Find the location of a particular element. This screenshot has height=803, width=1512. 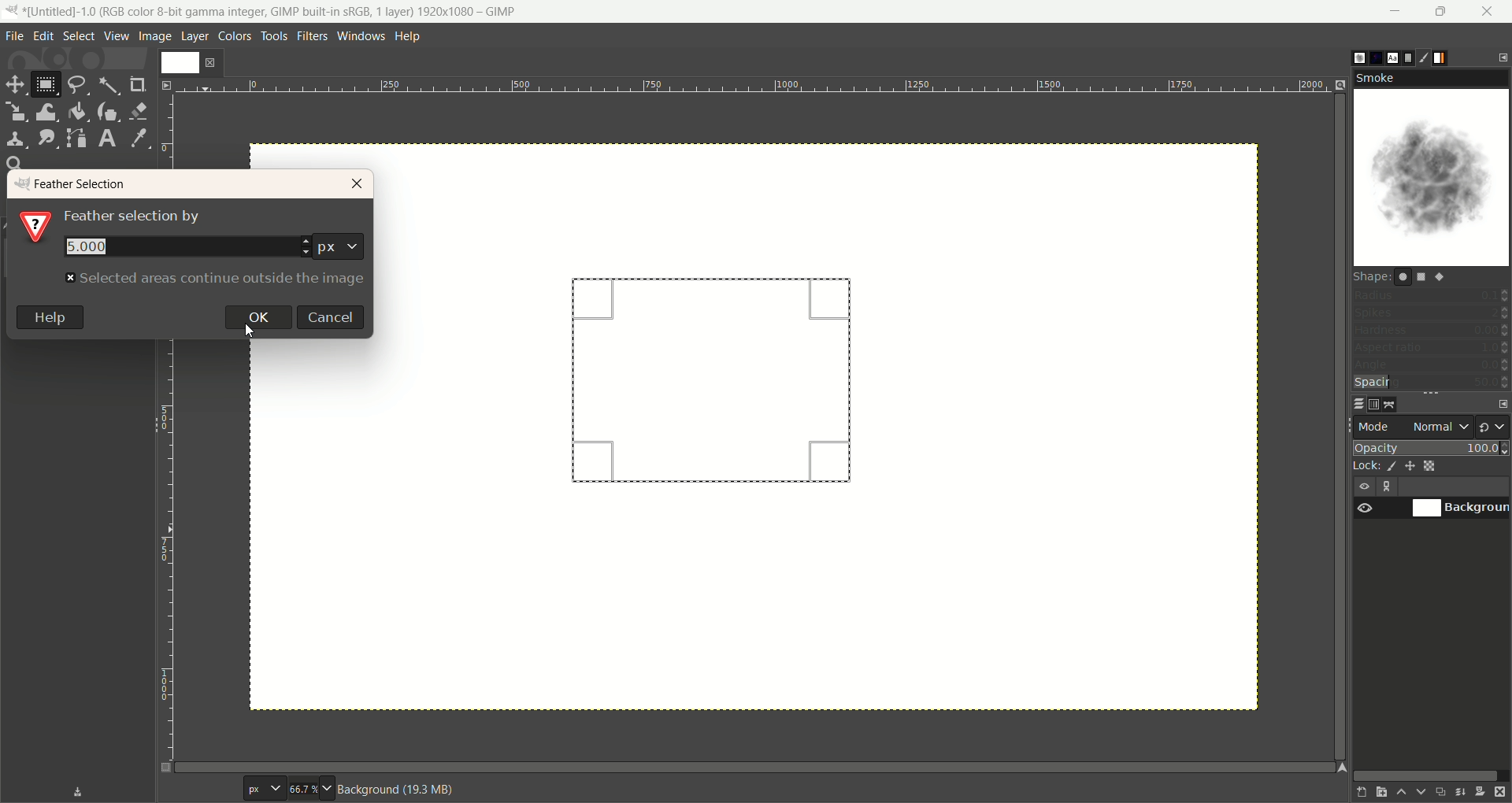

colors is located at coordinates (235, 36).